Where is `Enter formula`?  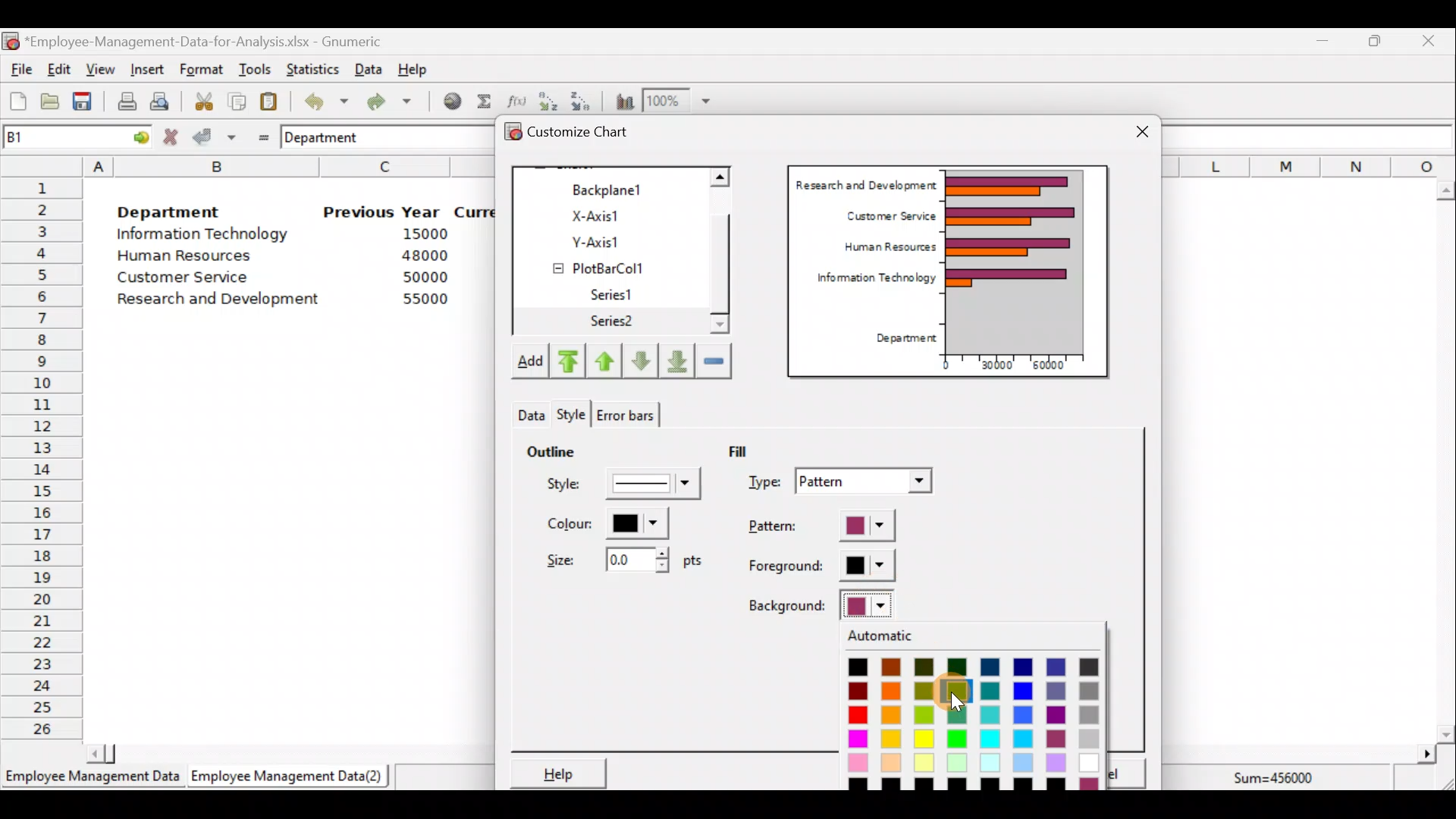
Enter formula is located at coordinates (259, 134).